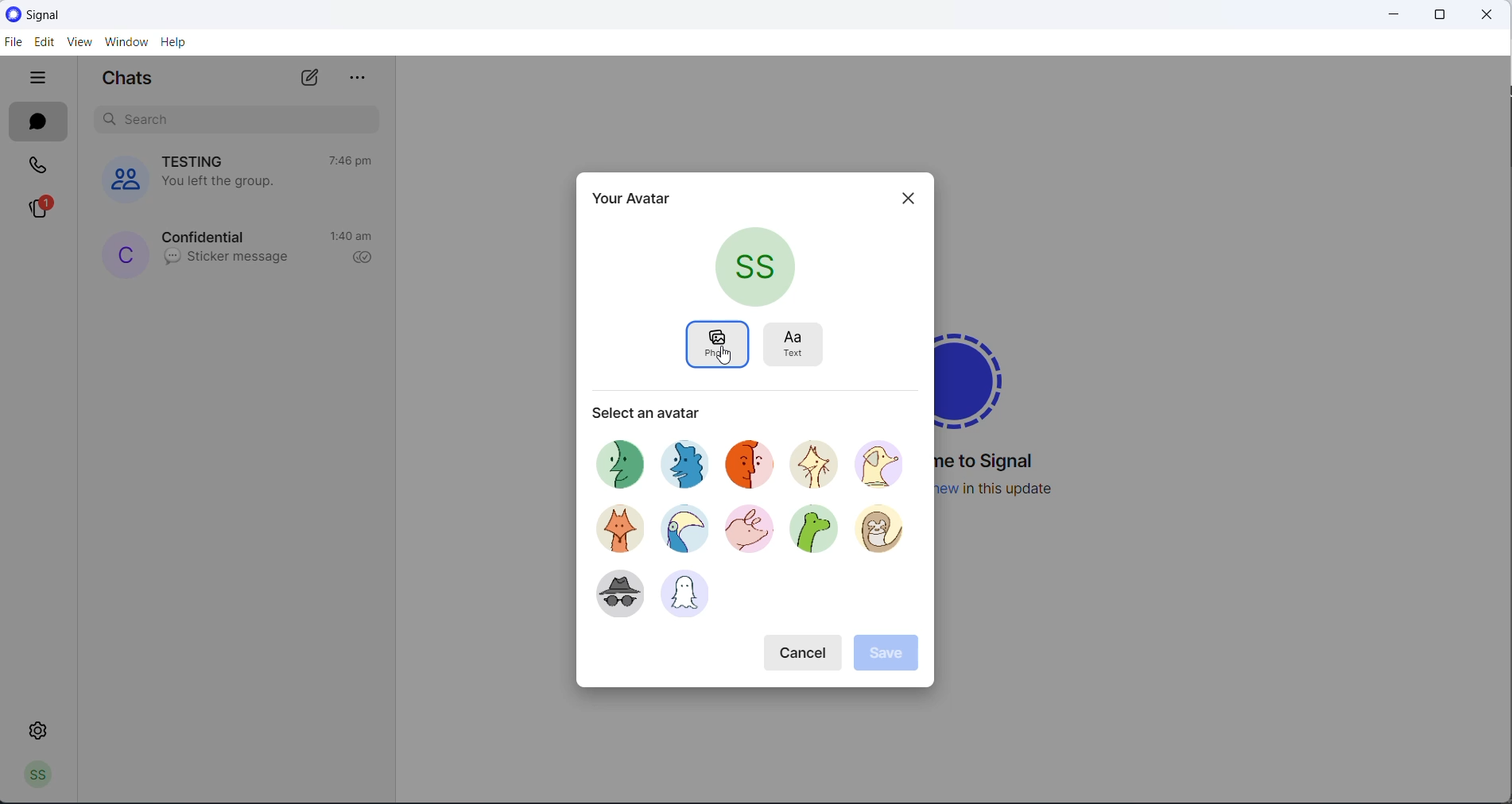 The width and height of the screenshot is (1512, 804). What do you see at coordinates (218, 185) in the screenshot?
I see `group left notification` at bounding box center [218, 185].